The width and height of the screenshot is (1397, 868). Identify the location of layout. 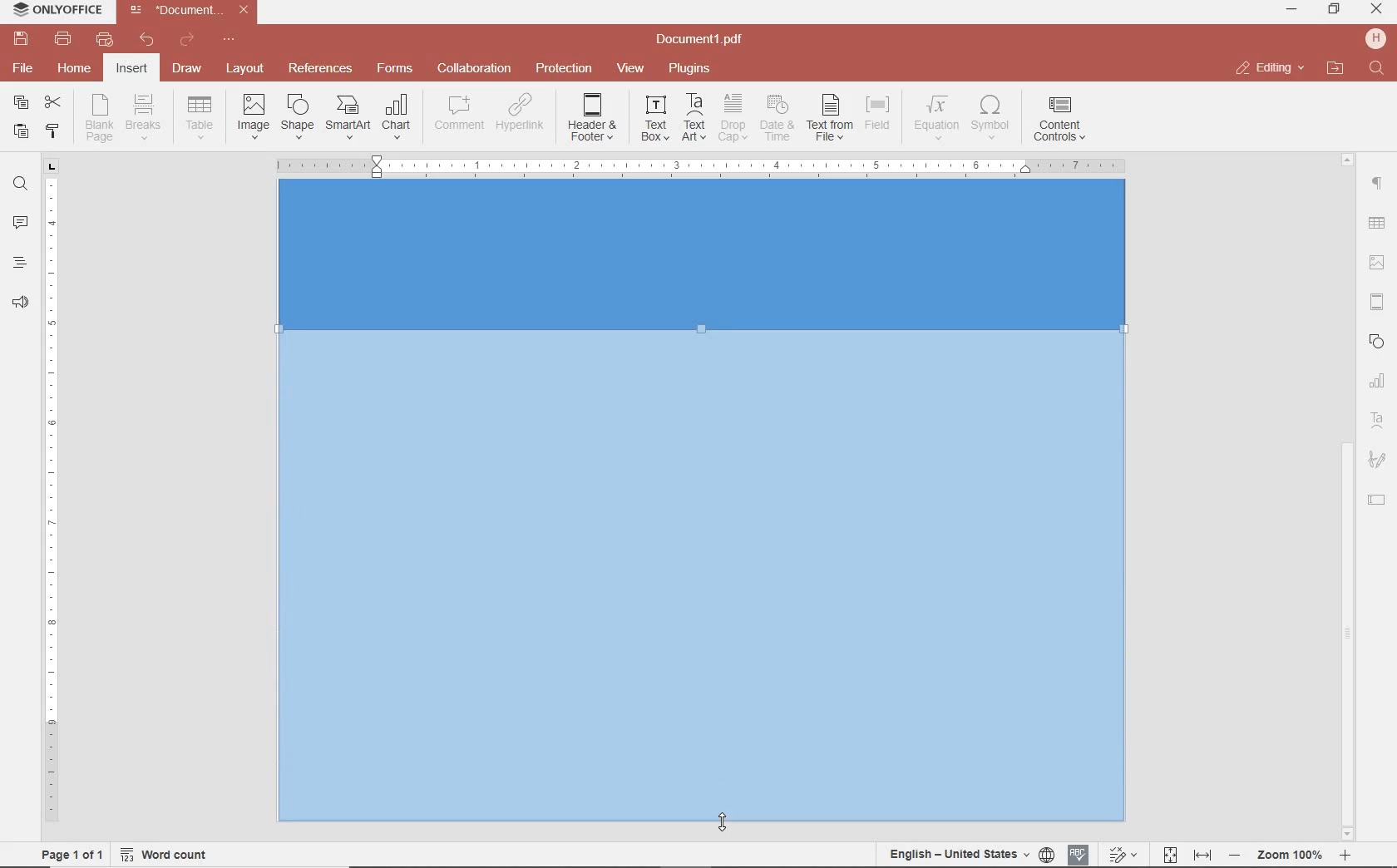
(248, 70).